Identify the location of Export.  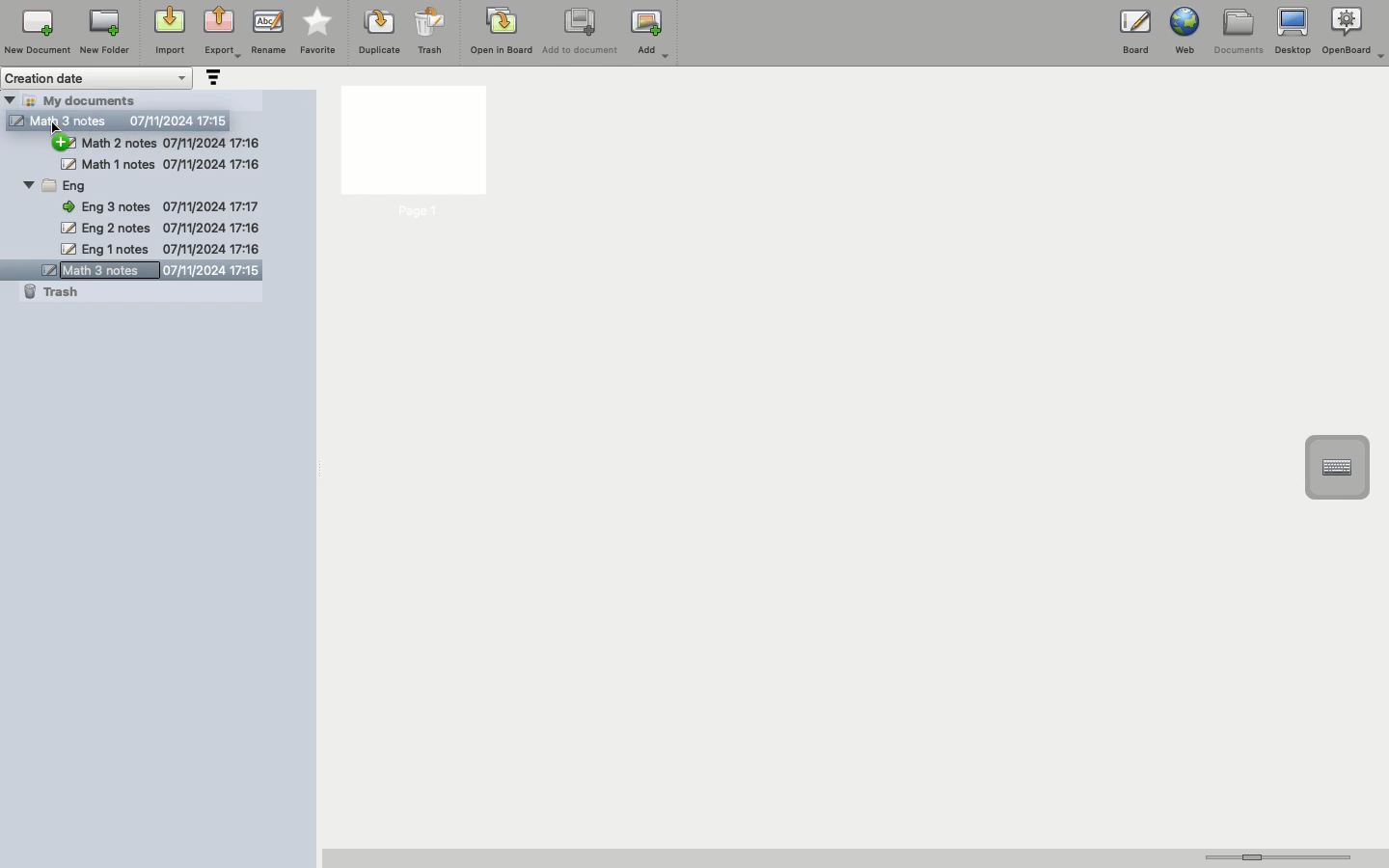
(222, 34).